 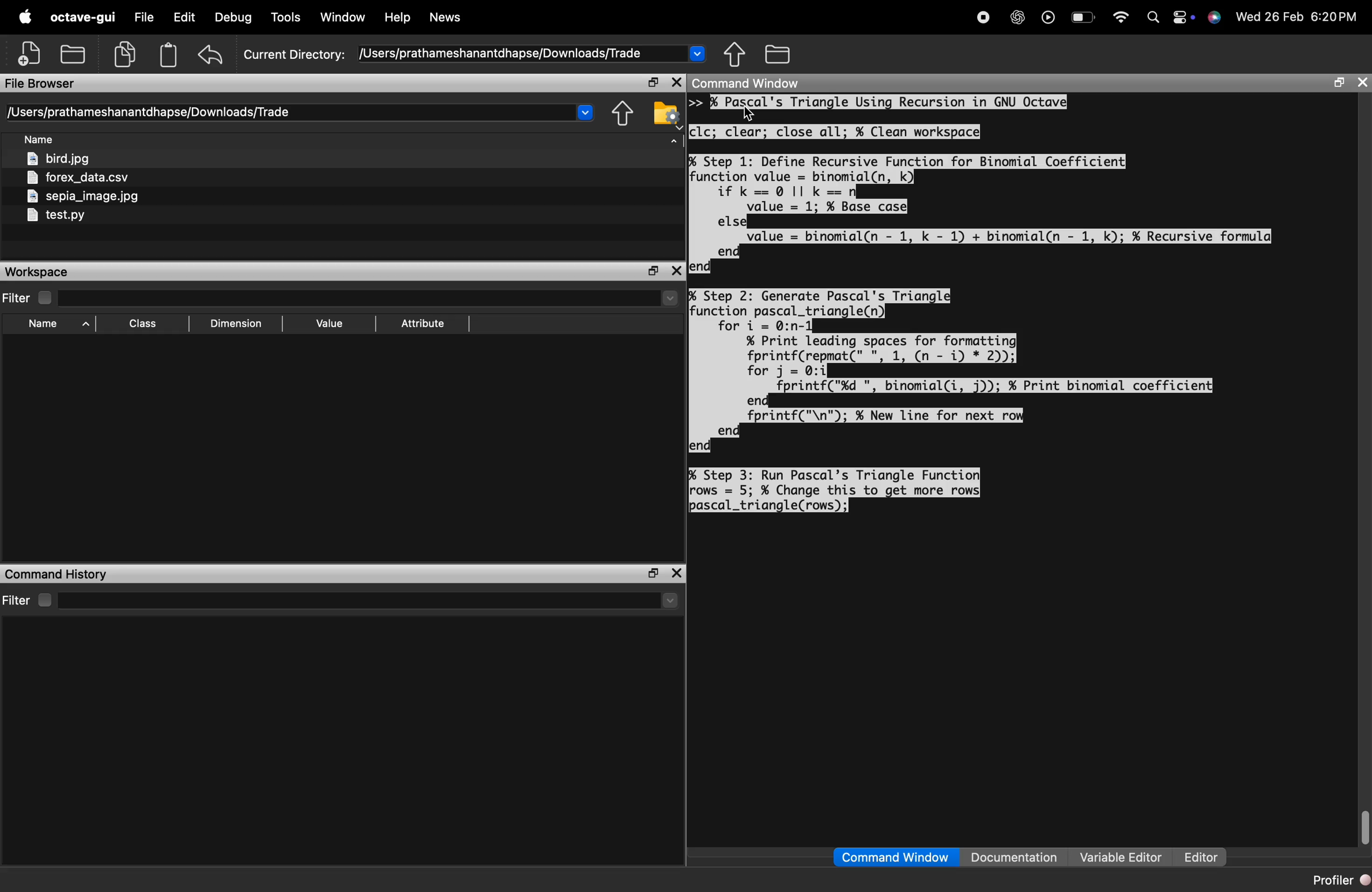 I want to click on Current Directory:, so click(x=293, y=55).